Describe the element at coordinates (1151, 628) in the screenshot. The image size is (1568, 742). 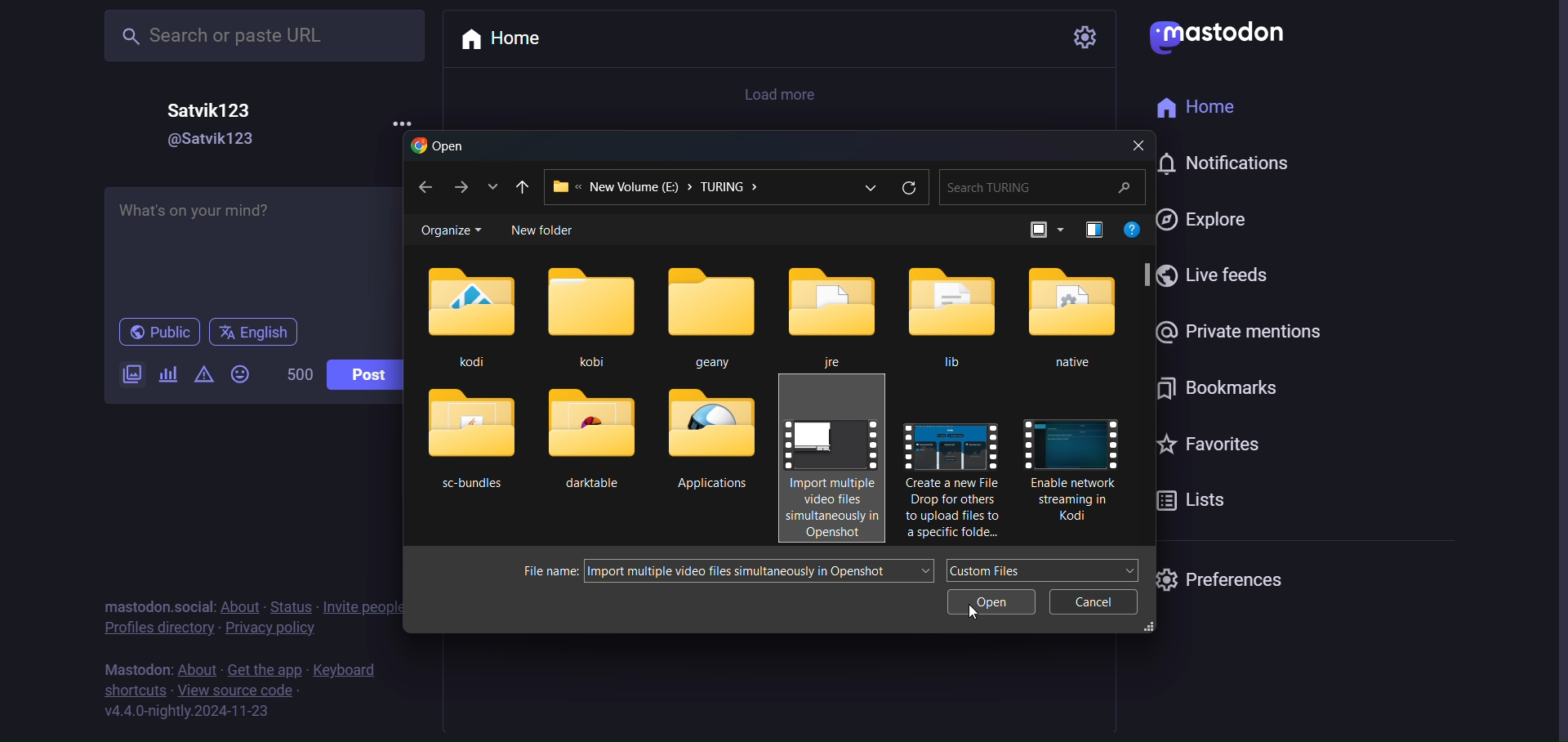
I see `resize` at that location.